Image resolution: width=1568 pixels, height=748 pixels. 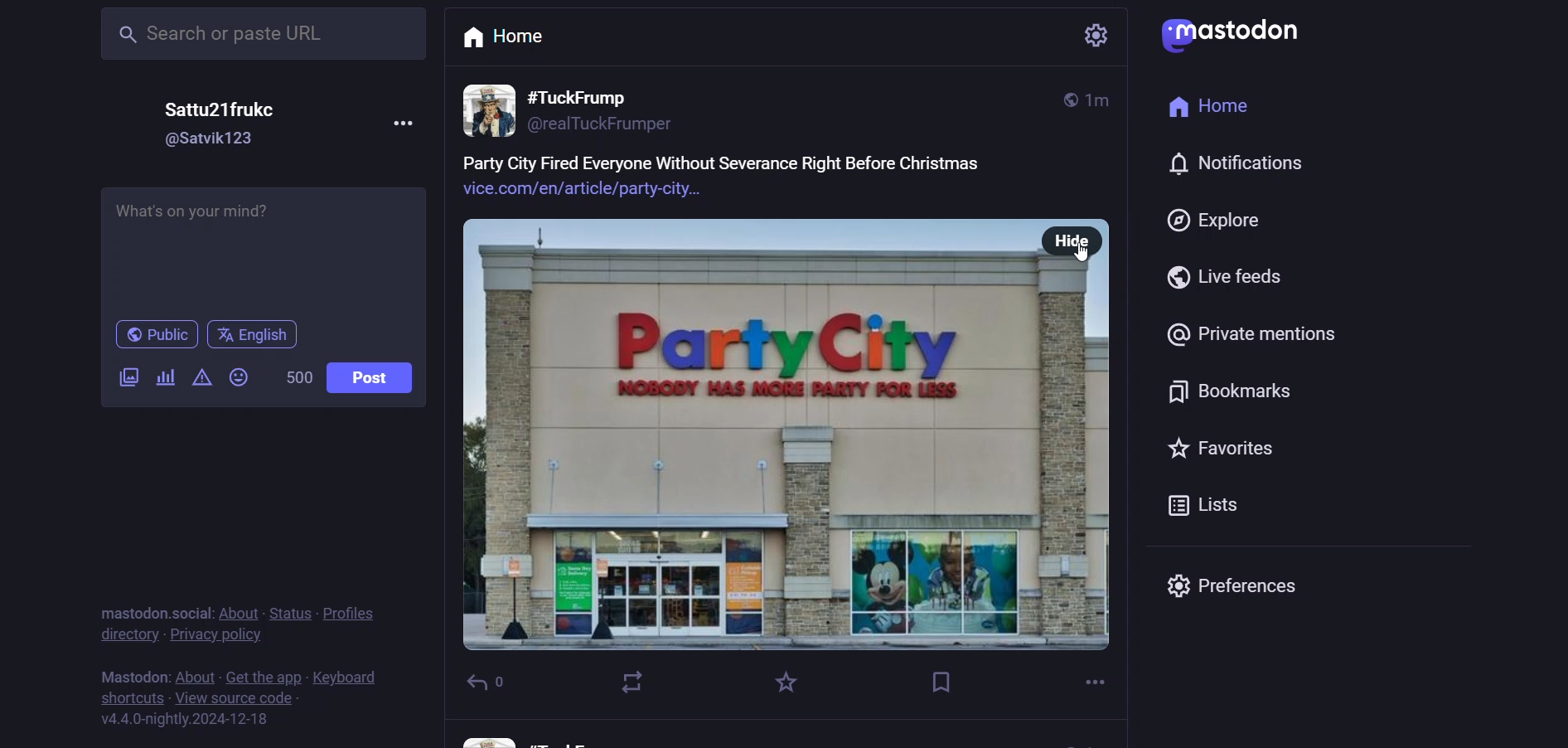 What do you see at coordinates (625, 682) in the screenshot?
I see `boost` at bounding box center [625, 682].